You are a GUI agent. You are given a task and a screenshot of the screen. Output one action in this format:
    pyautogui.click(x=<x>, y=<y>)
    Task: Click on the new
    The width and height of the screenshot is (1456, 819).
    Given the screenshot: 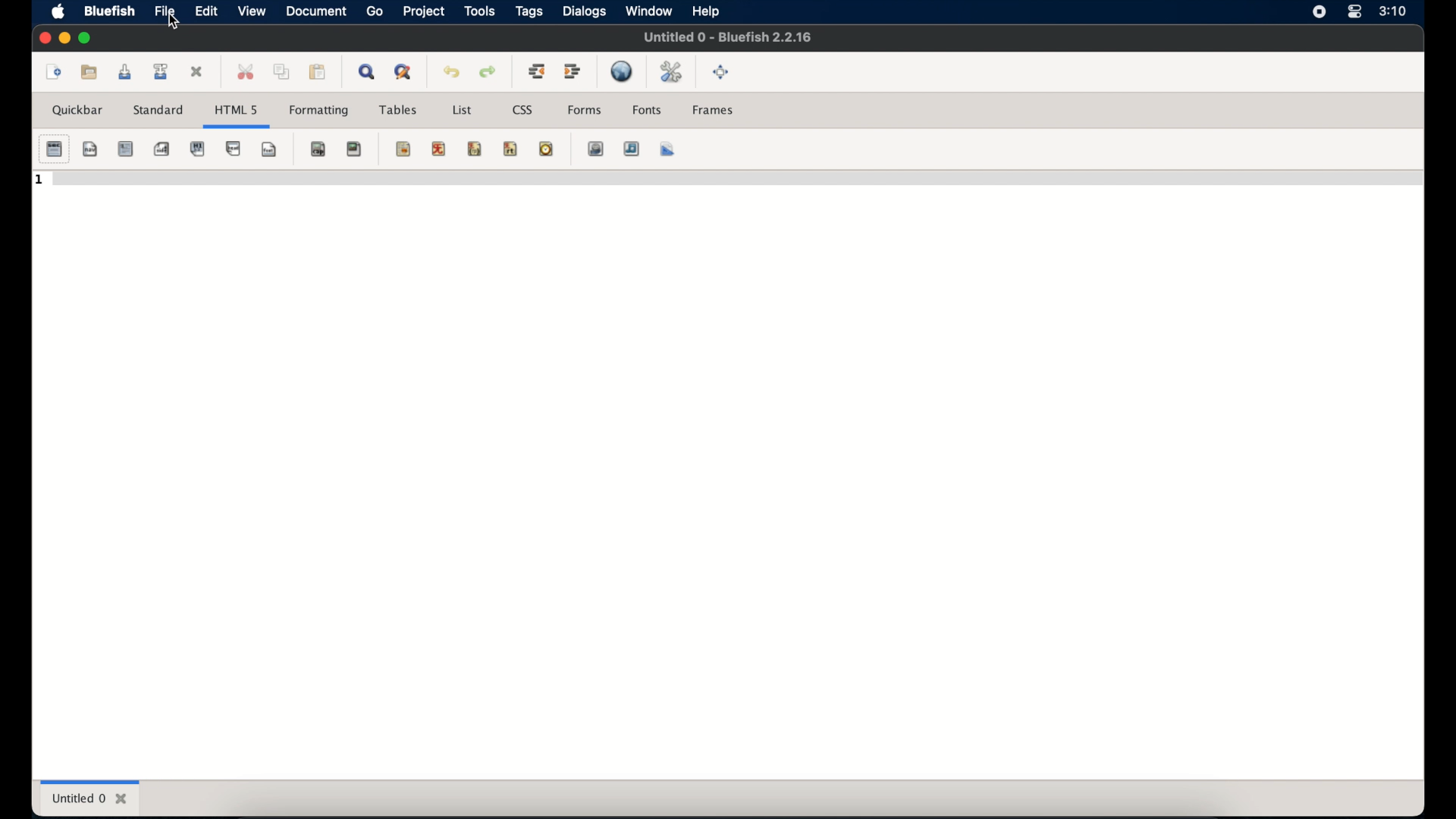 What is the action you would take?
    pyautogui.click(x=52, y=72)
    